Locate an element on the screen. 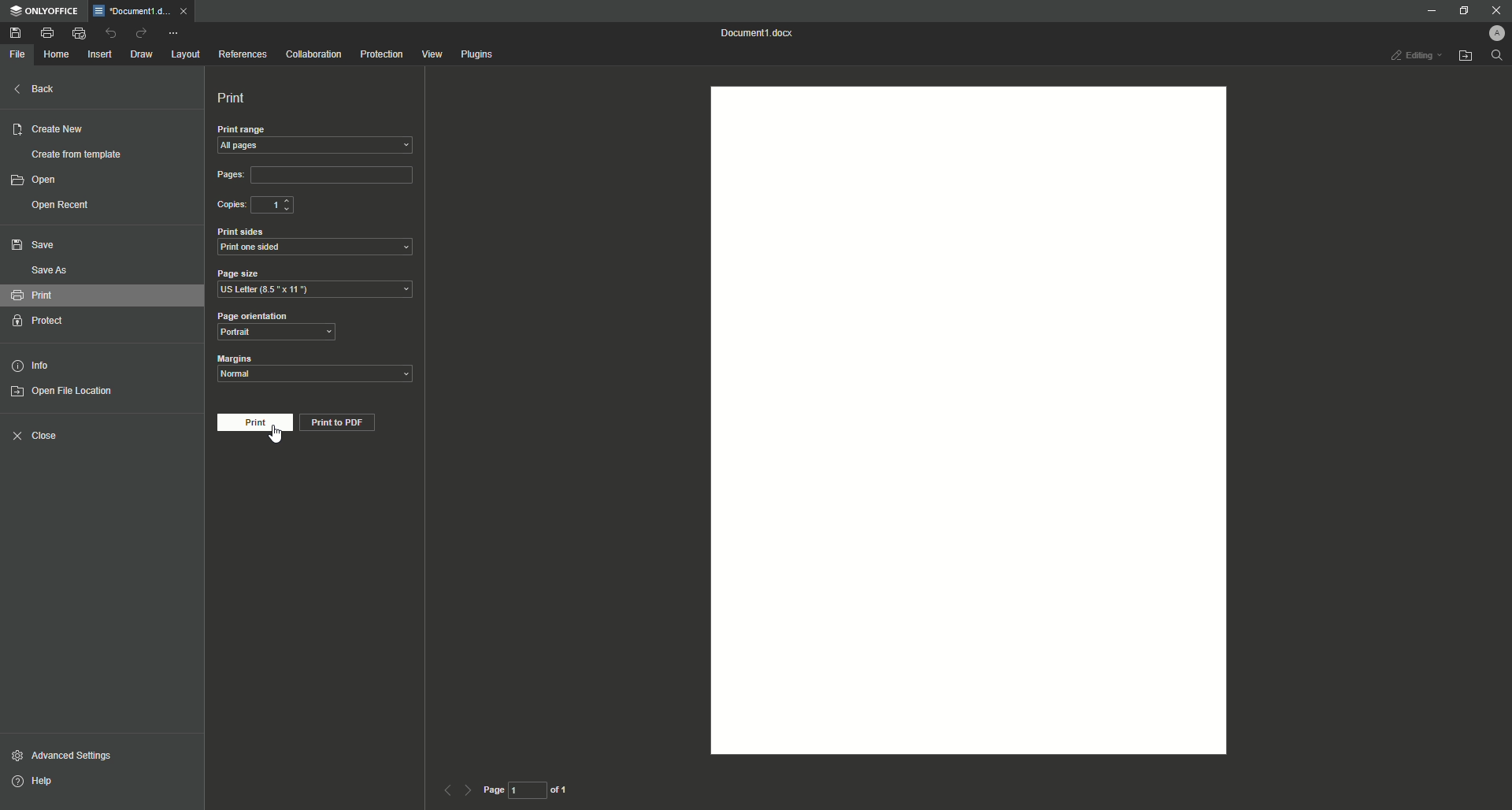  Layout is located at coordinates (184, 55).